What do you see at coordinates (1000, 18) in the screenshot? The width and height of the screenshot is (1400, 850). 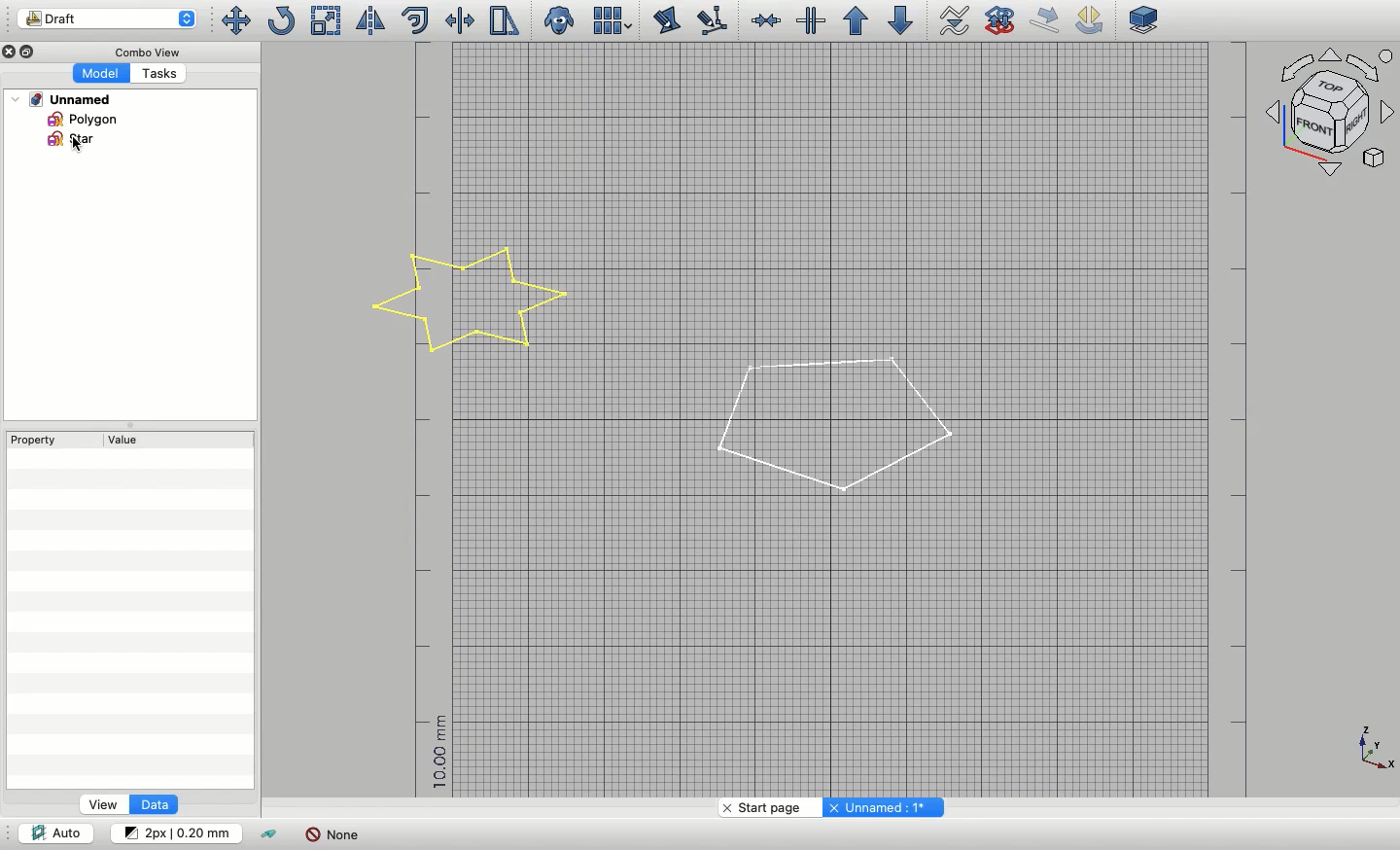 I see `Draft to sketch` at bounding box center [1000, 18].